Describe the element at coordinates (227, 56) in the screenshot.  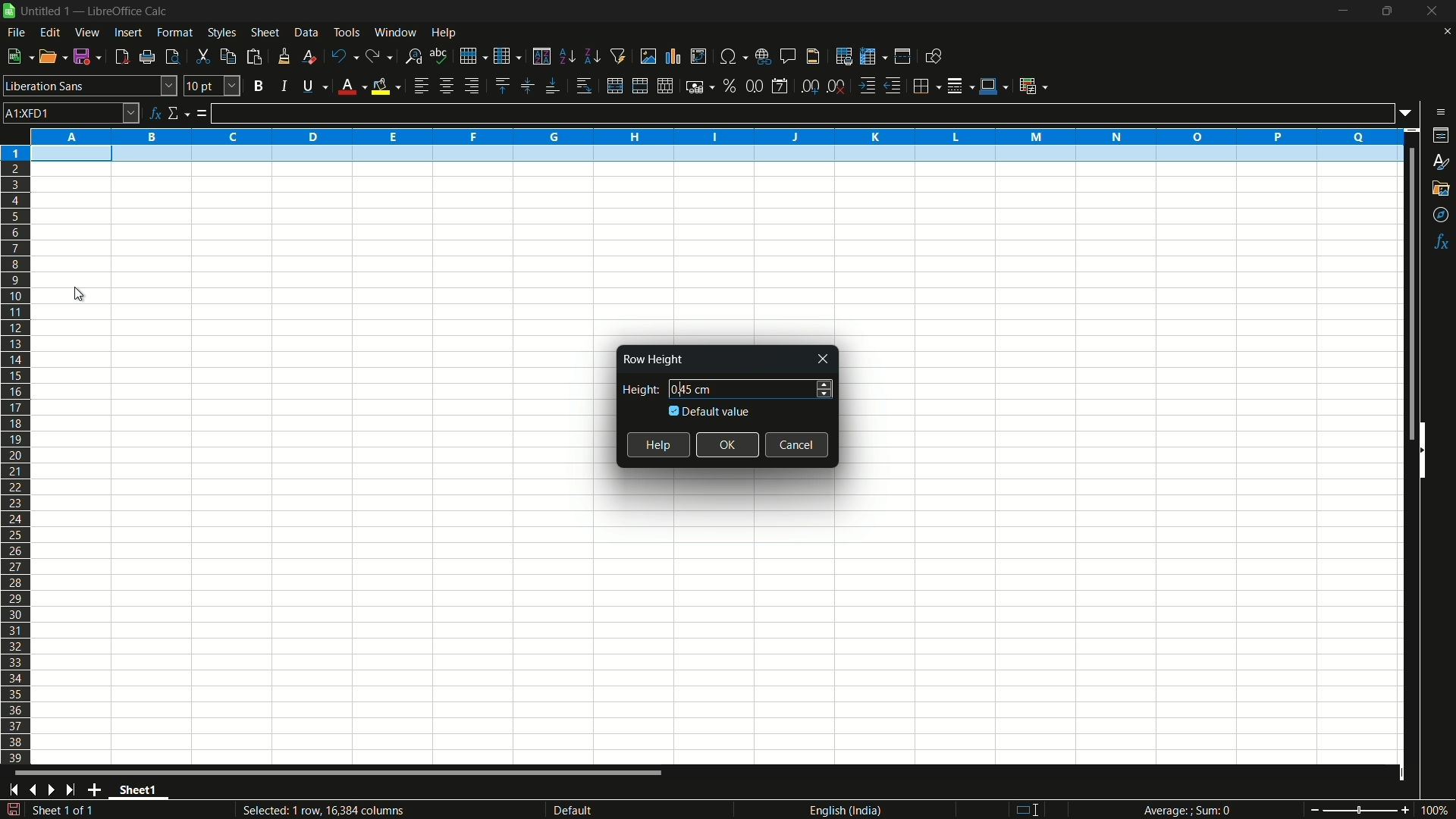
I see `copy` at that location.